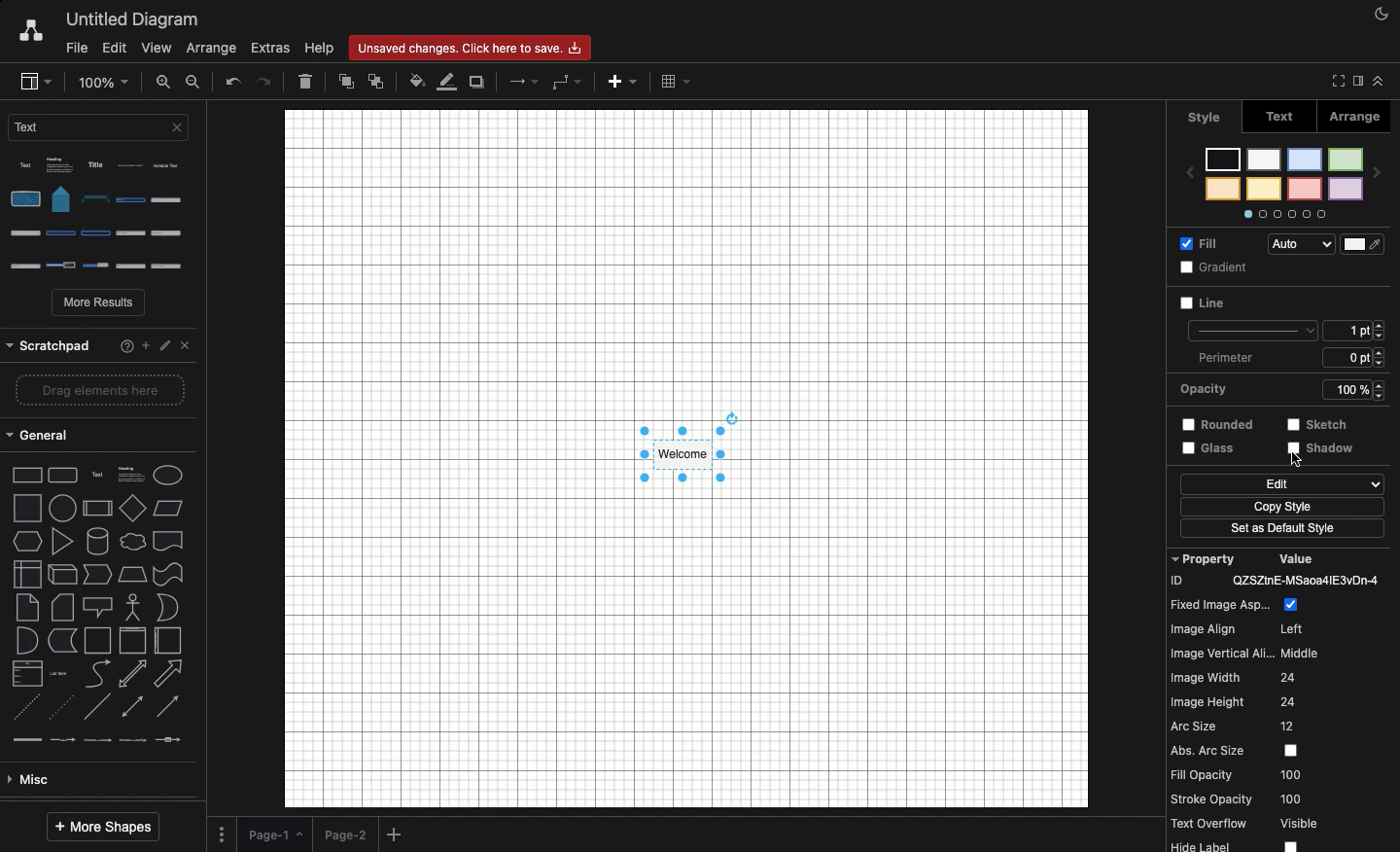 Image resolution: width=1400 pixels, height=852 pixels. What do you see at coordinates (1290, 357) in the screenshot?
I see `Opacity` at bounding box center [1290, 357].